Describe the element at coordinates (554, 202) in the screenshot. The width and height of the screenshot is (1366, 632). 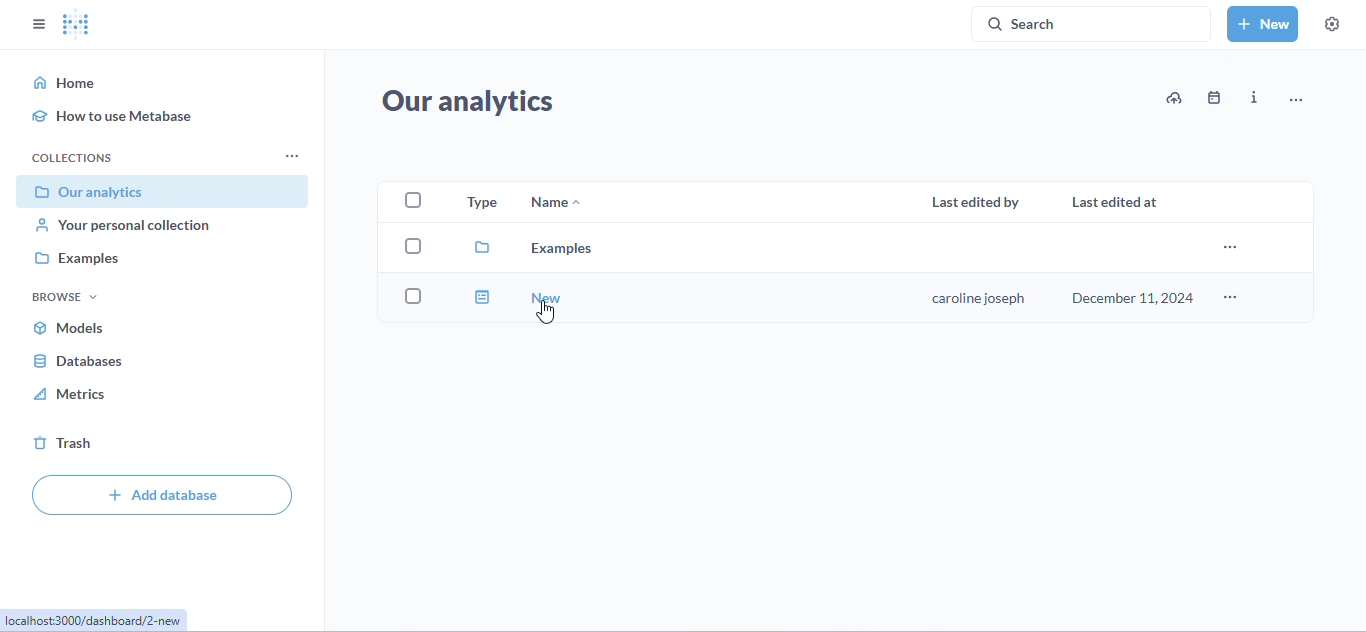
I see `name` at that location.